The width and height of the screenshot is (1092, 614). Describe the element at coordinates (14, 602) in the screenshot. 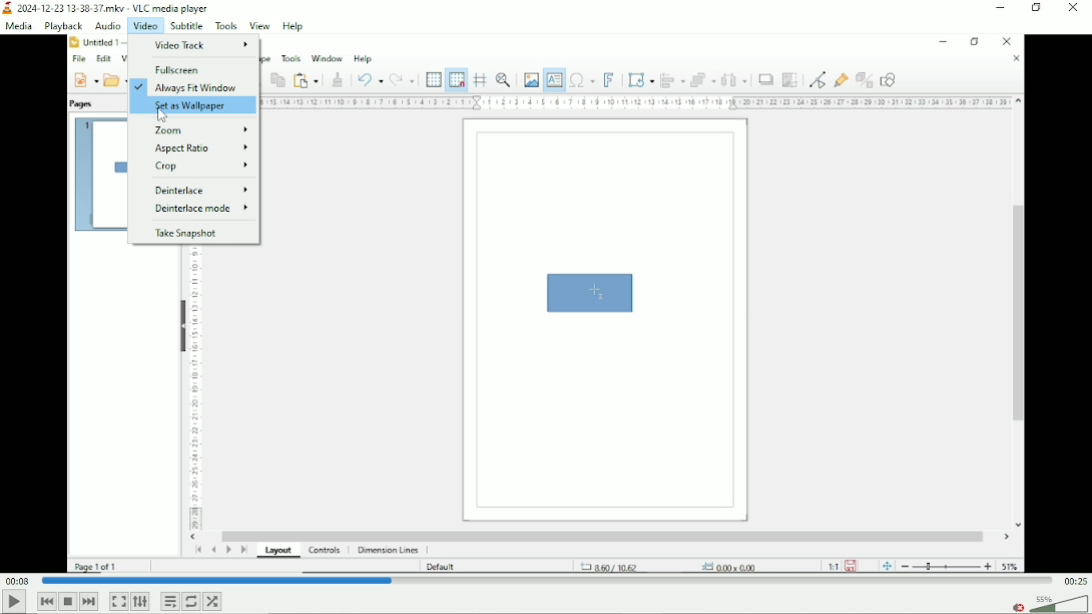

I see `Play` at that location.